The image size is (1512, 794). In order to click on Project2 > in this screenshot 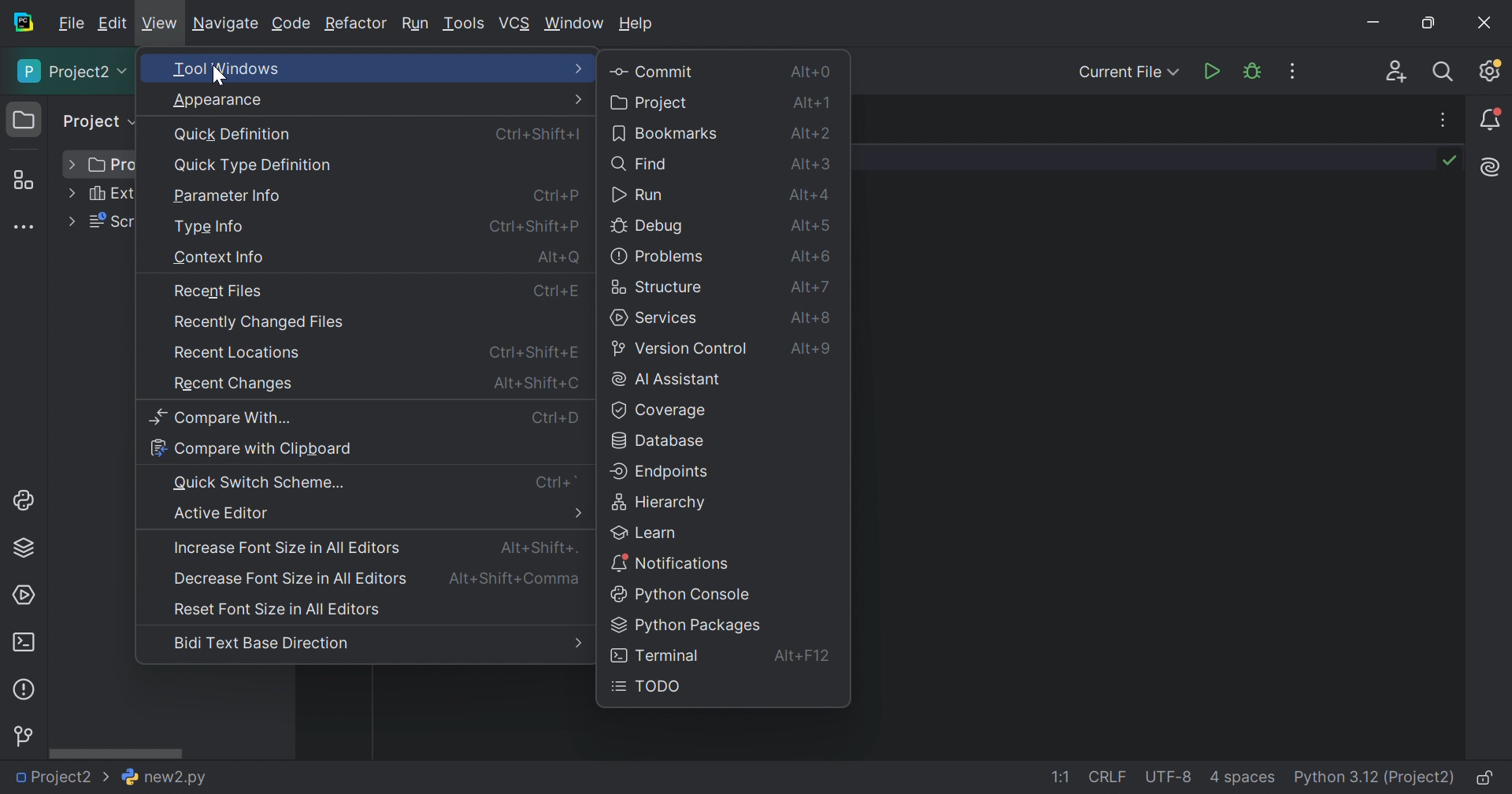, I will do `click(59, 777)`.